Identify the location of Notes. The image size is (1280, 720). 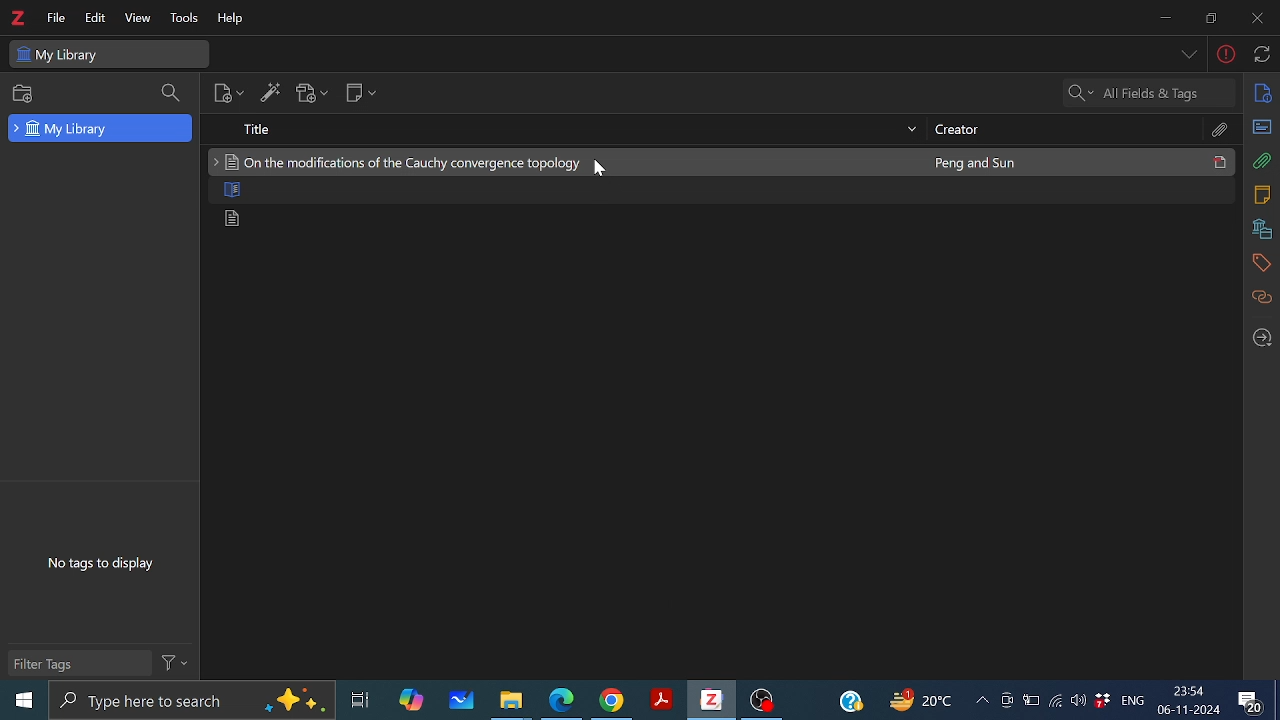
(1265, 194).